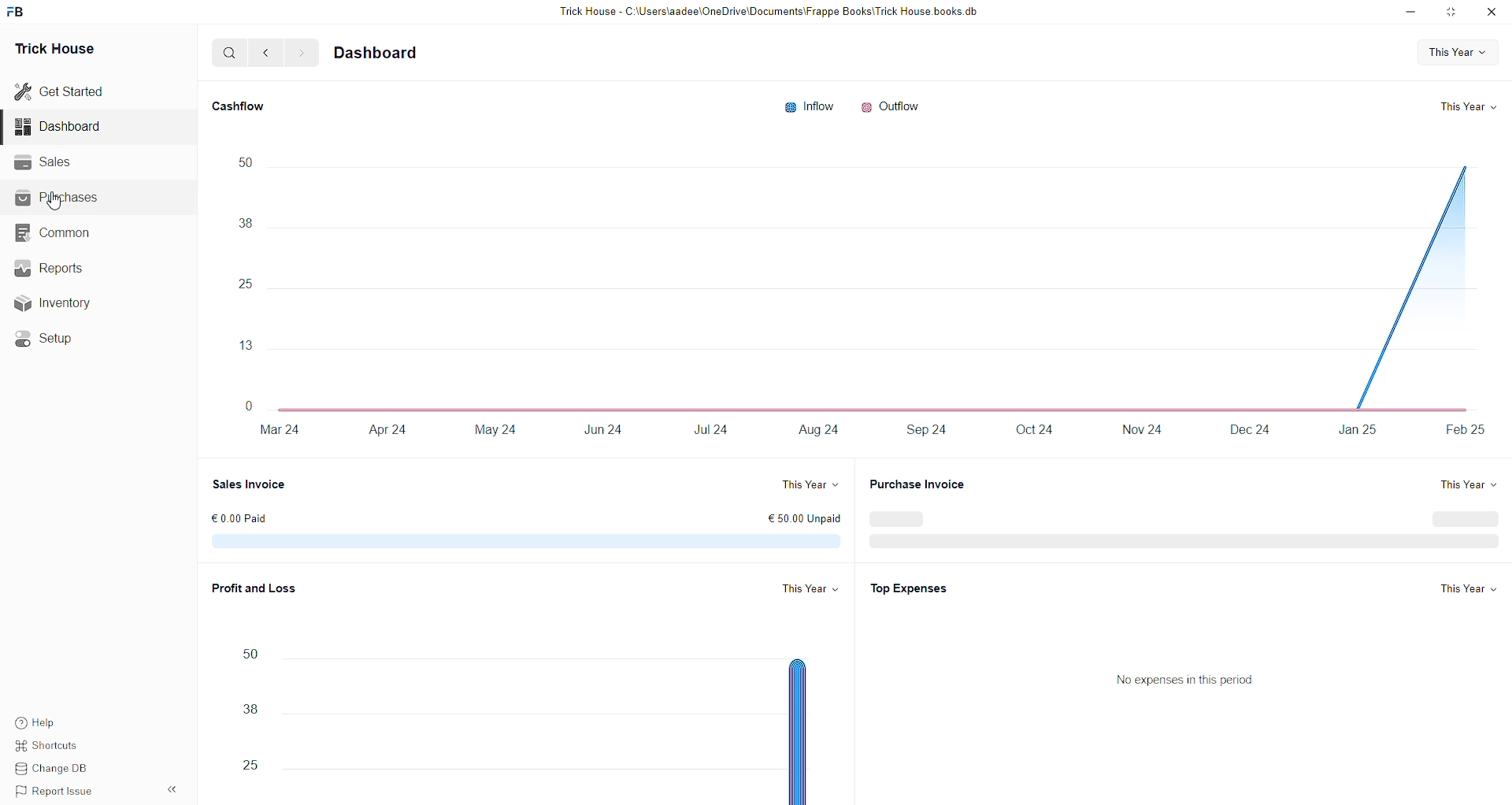 The width and height of the screenshot is (1512, 805). Describe the element at coordinates (56, 233) in the screenshot. I see `Common` at that location.